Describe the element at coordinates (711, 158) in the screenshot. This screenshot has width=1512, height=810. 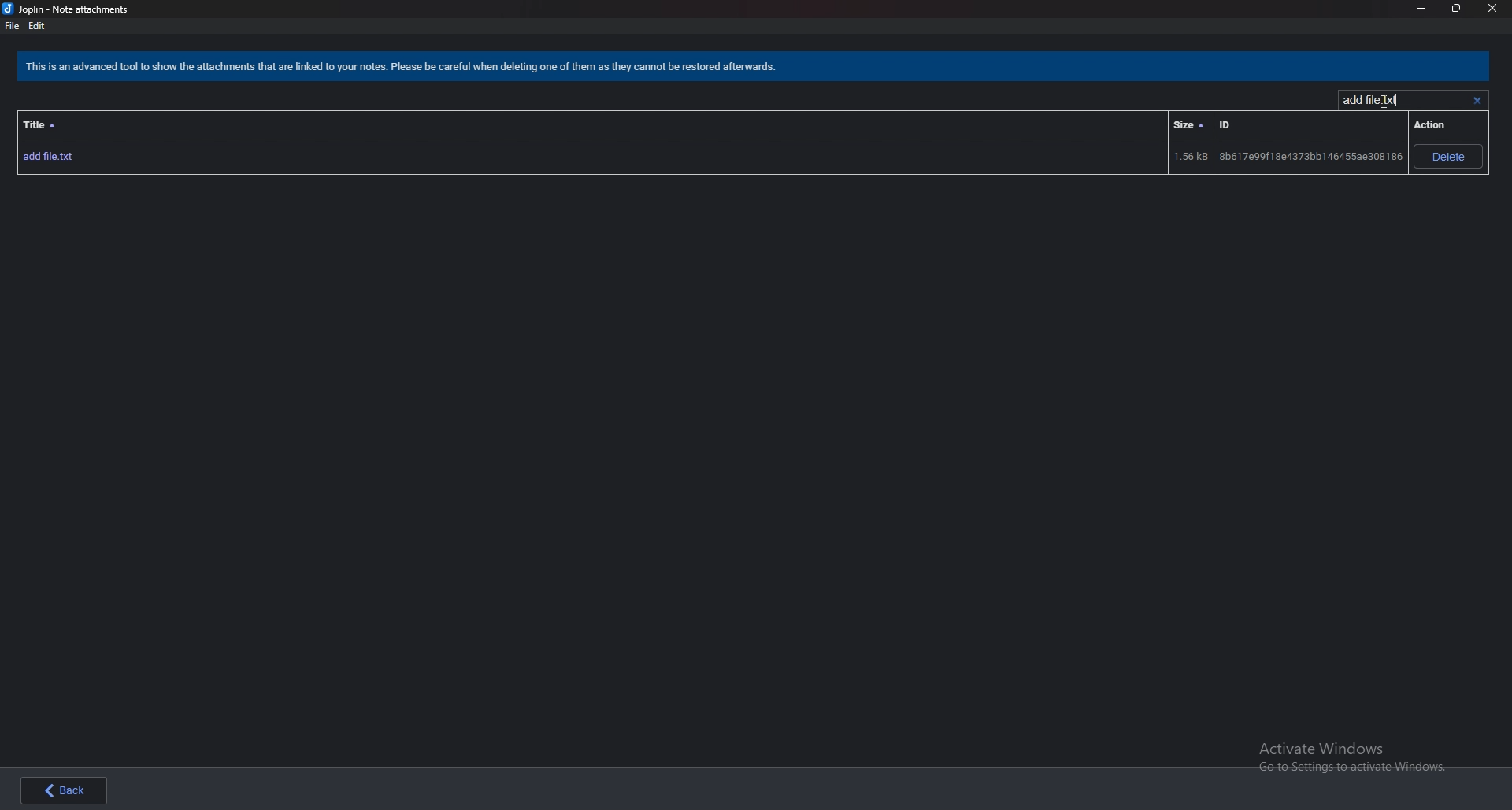
I see `attachment` at that location.